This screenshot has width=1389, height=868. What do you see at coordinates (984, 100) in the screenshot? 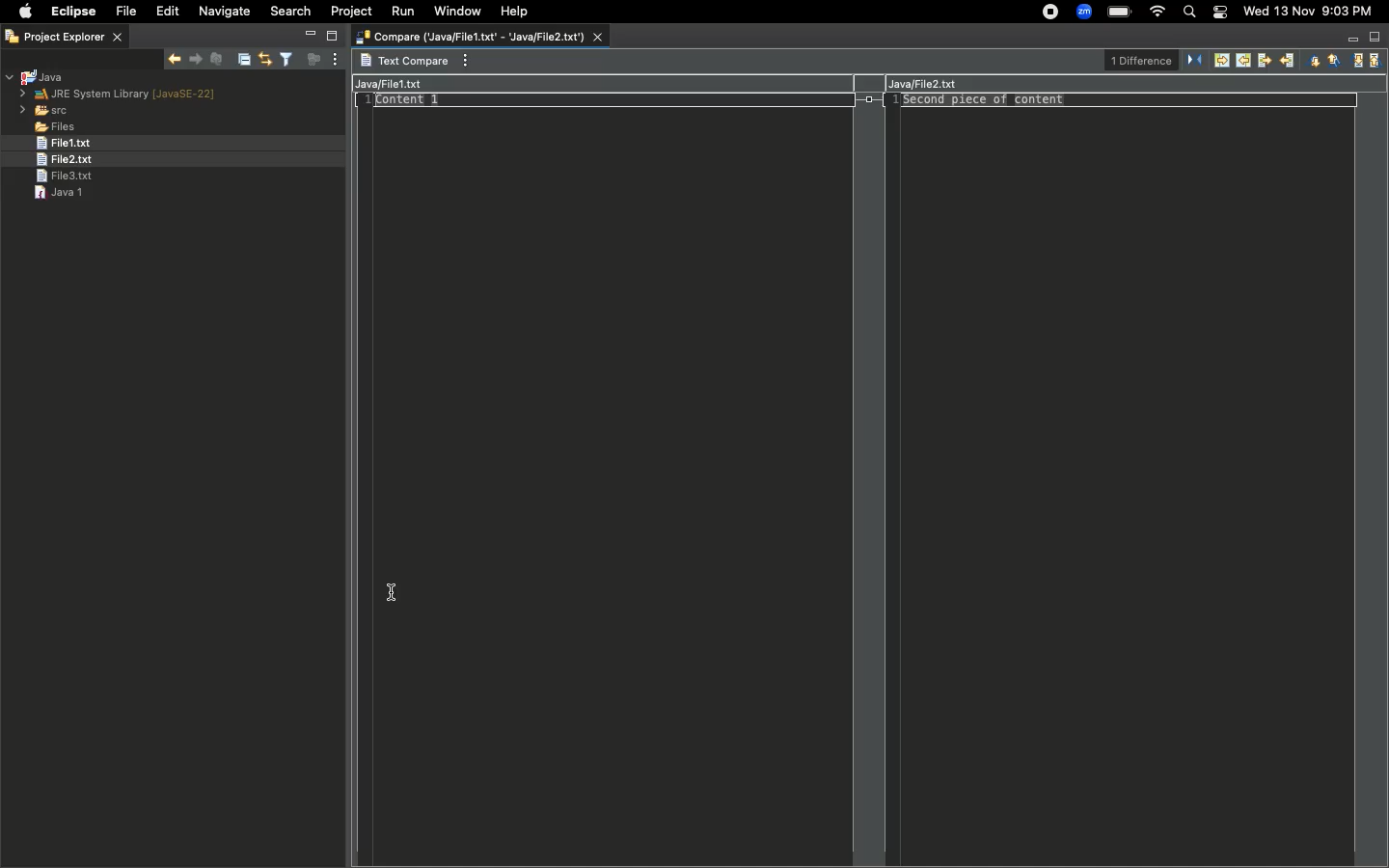
I see `Second piece of content` at bounding box center [984, 100].